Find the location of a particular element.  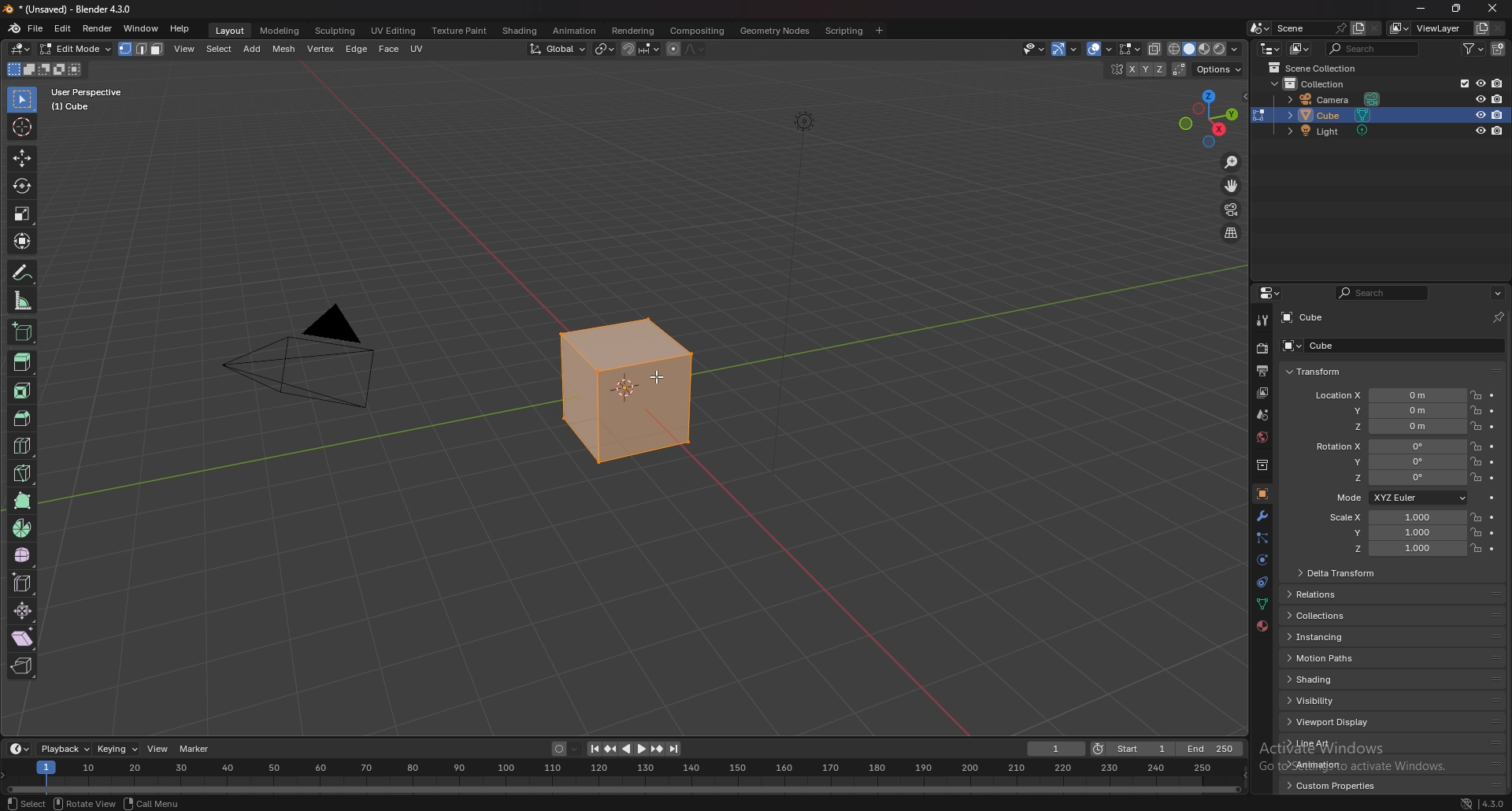

transform pivot points is located at coordinates (606, 49).